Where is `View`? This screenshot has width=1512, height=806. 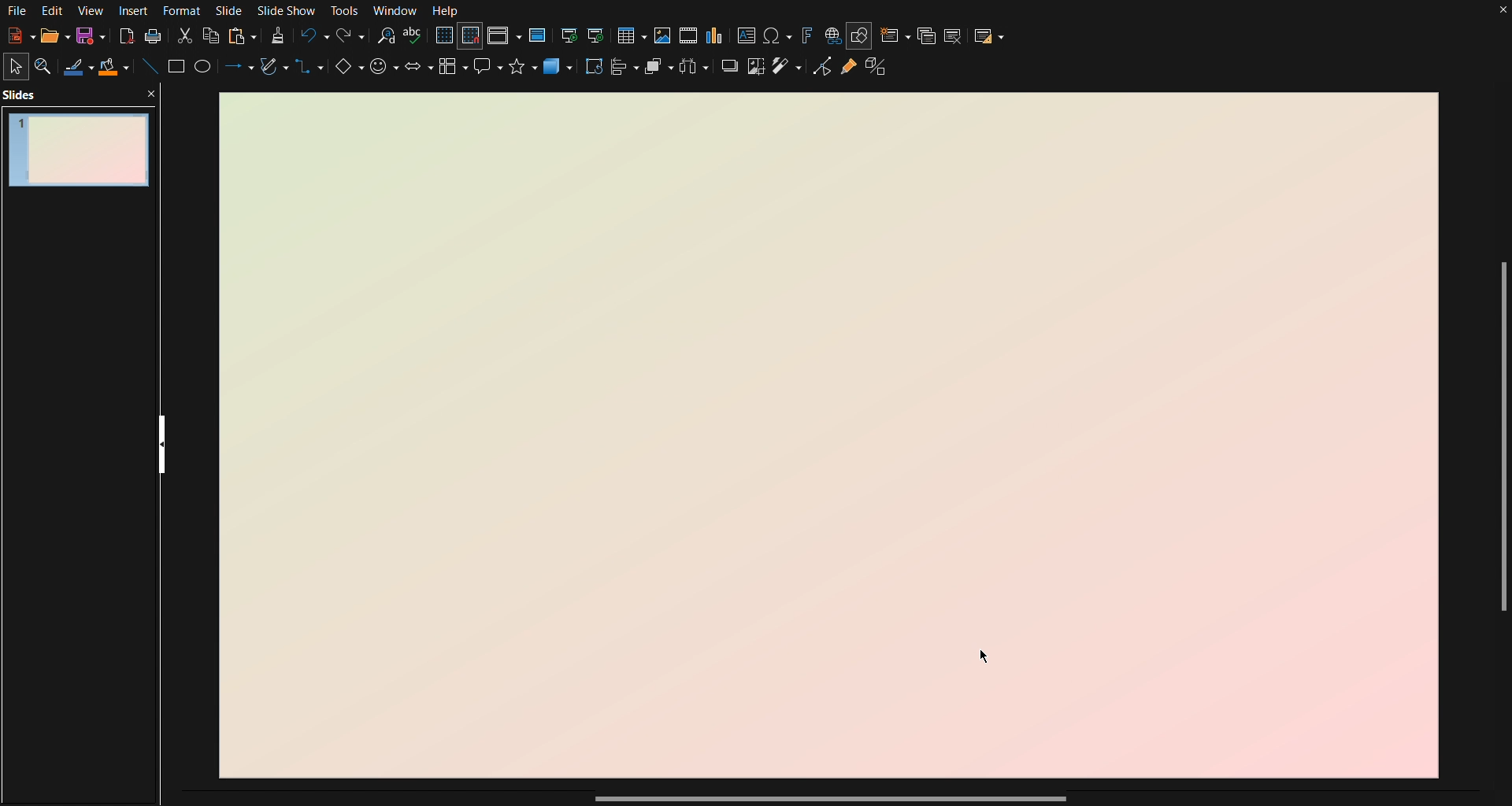 View is located at coordinates (91, 10).